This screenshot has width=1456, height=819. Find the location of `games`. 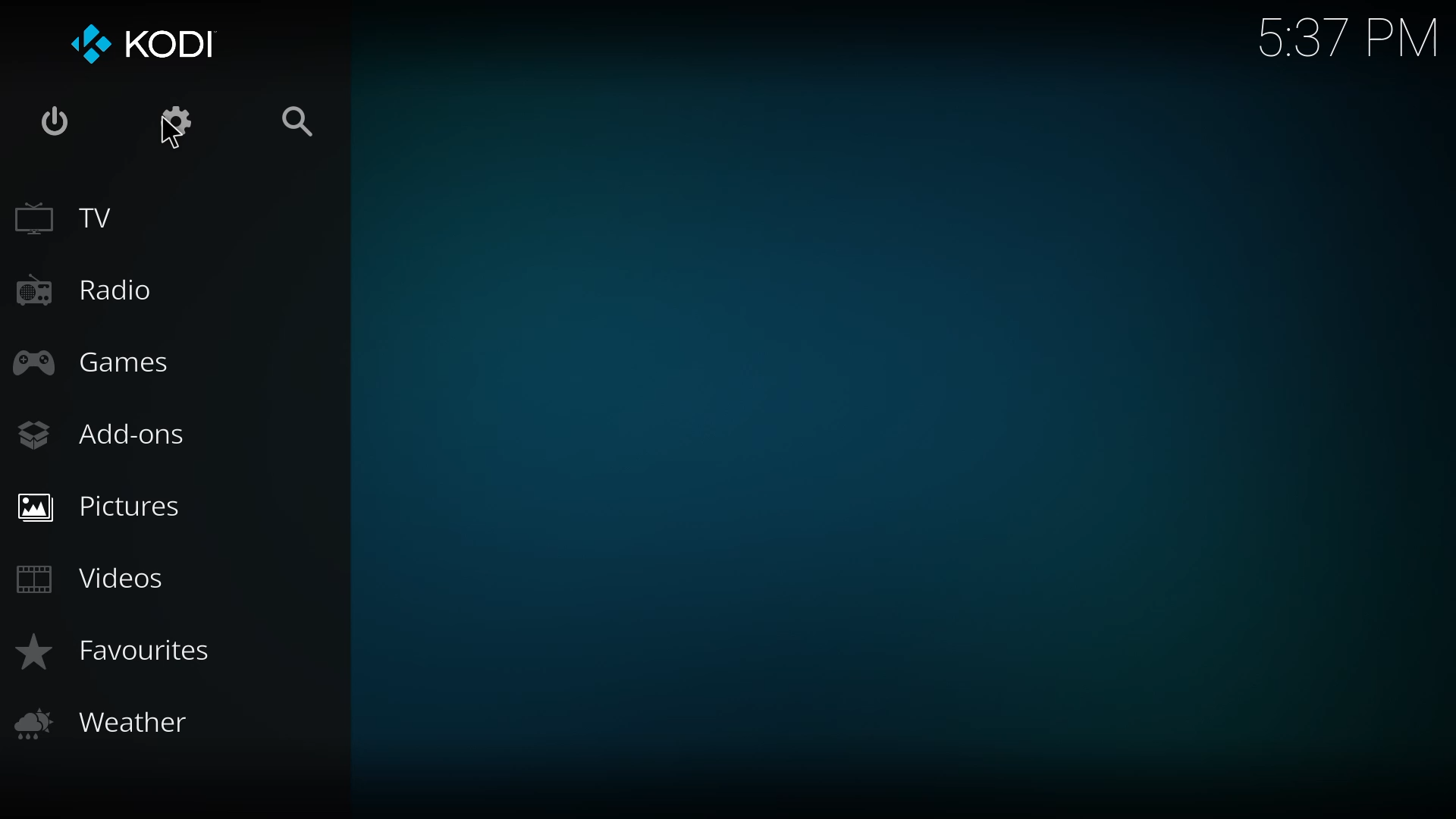

games is located at coordinates (101, 366).